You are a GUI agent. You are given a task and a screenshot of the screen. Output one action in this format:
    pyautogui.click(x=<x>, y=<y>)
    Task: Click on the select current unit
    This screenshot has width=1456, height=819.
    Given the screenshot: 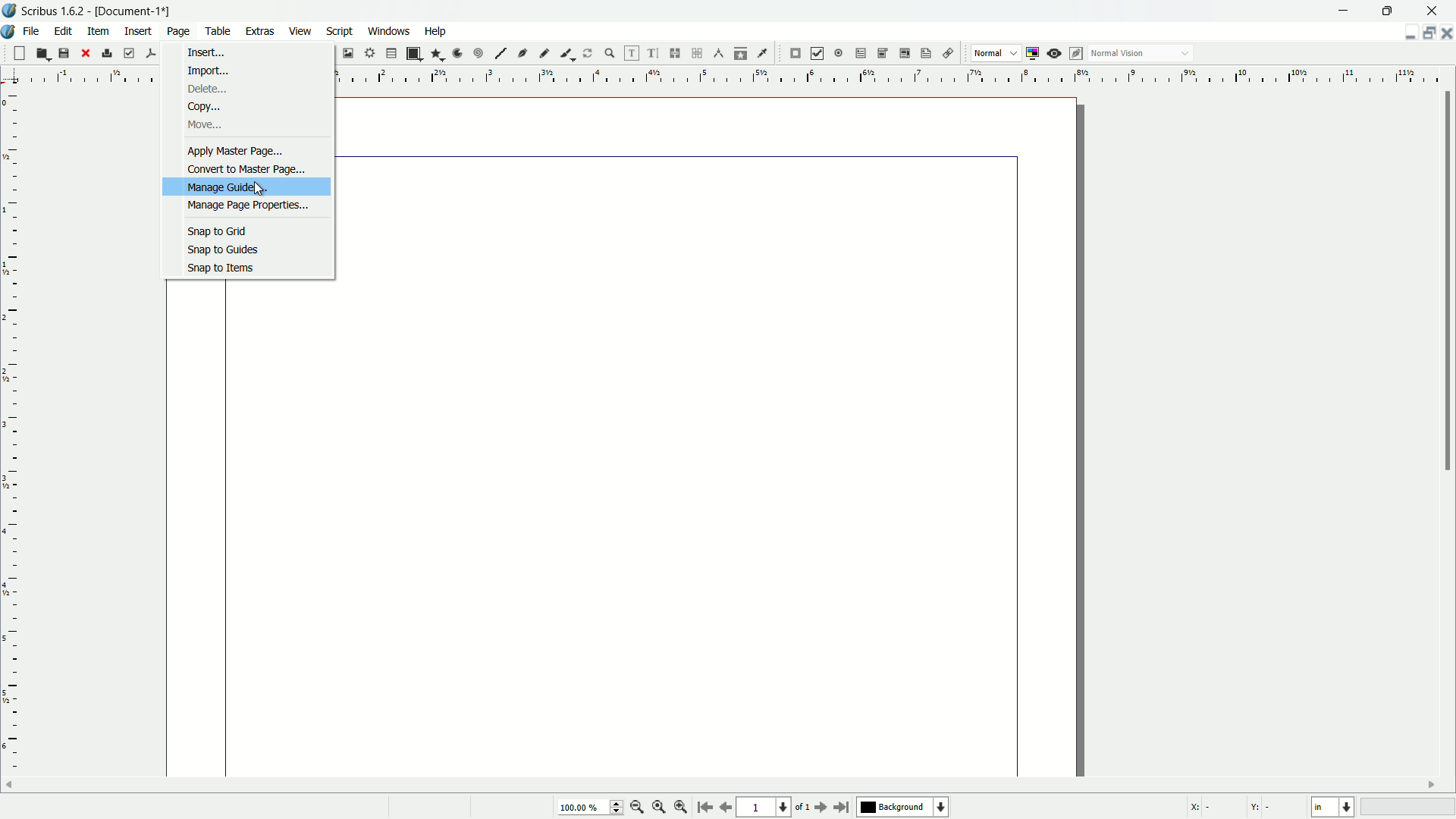 What is the action you would take?
    pyautogui.click(x=1332, y=808)
    